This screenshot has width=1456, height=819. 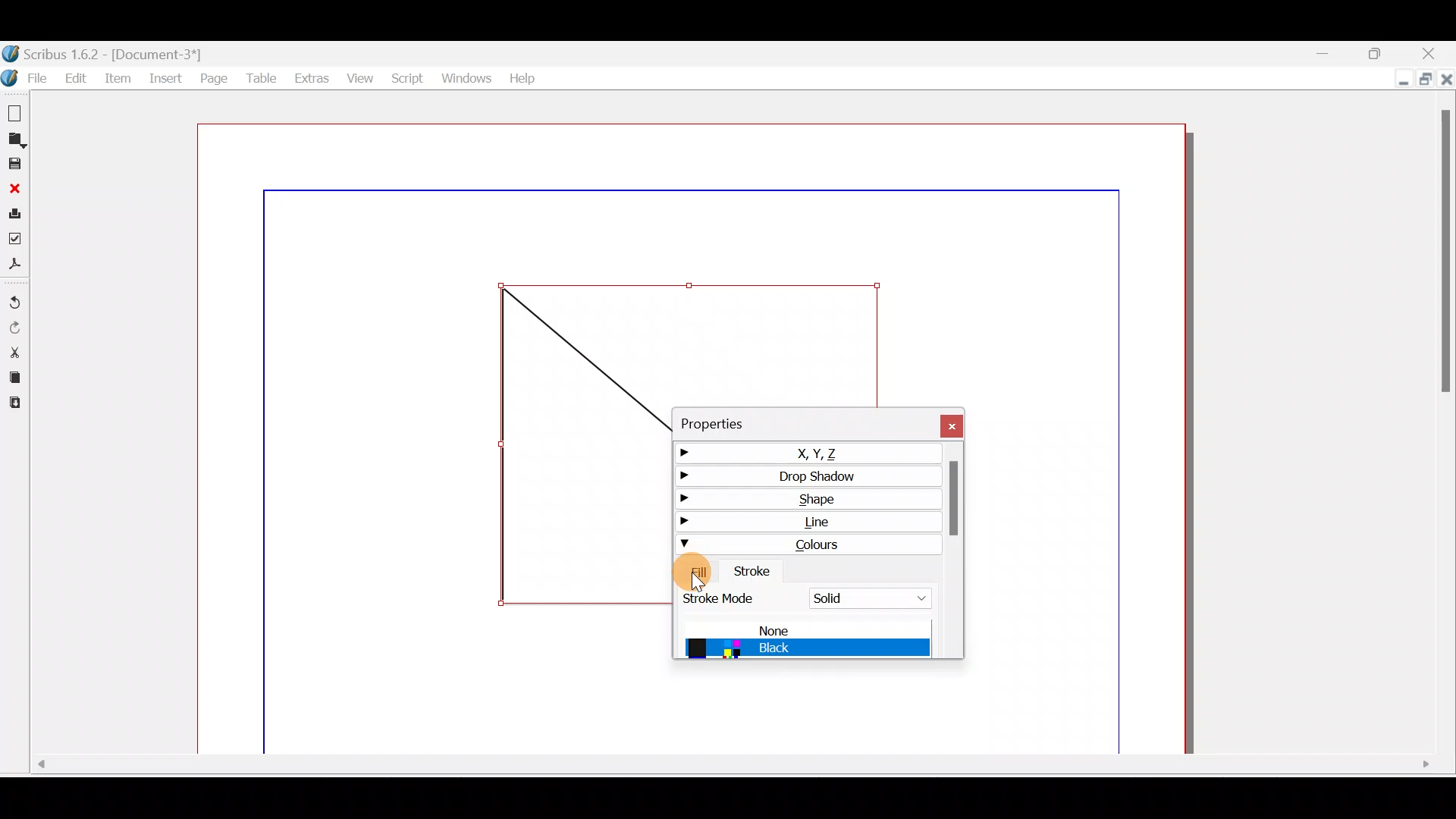 What do you see at coordinates (1446, 427) in the screenshot?
I see `Scroll bar` at bounding box center [1446, 427].